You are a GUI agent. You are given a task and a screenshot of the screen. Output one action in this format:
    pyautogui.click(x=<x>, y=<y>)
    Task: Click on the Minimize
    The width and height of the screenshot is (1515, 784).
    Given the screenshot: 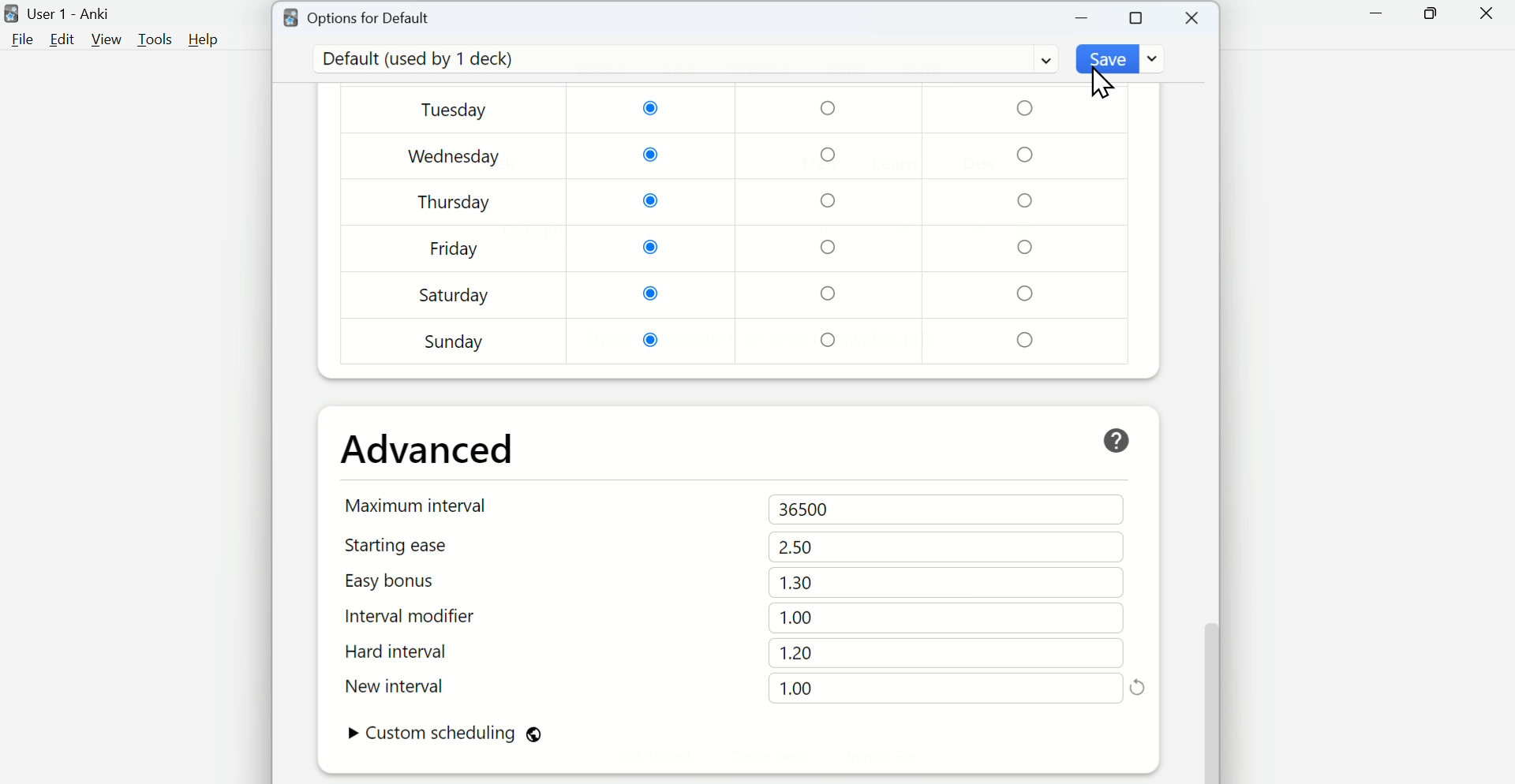 What is the action you would take?
    pyautogui.click(x=1083, y=18)
    